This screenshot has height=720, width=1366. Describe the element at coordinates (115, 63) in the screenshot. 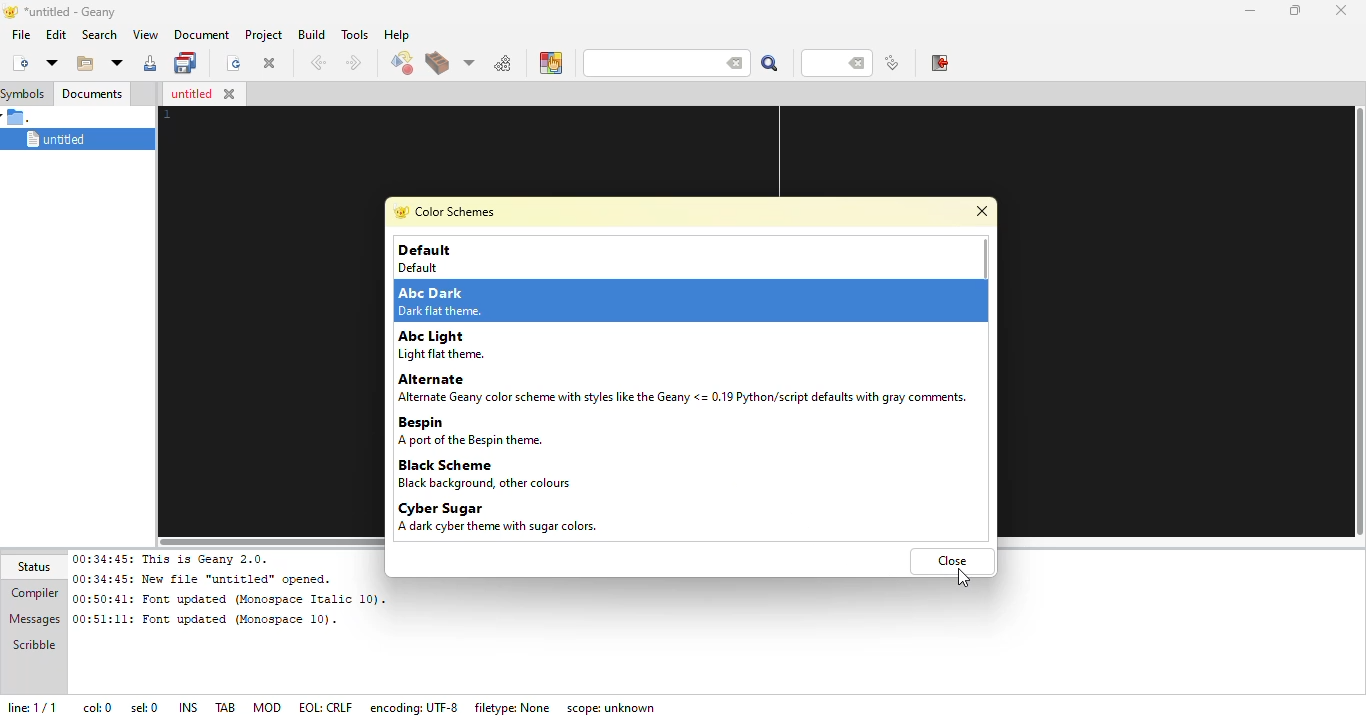

I see `open recent file` at that location.